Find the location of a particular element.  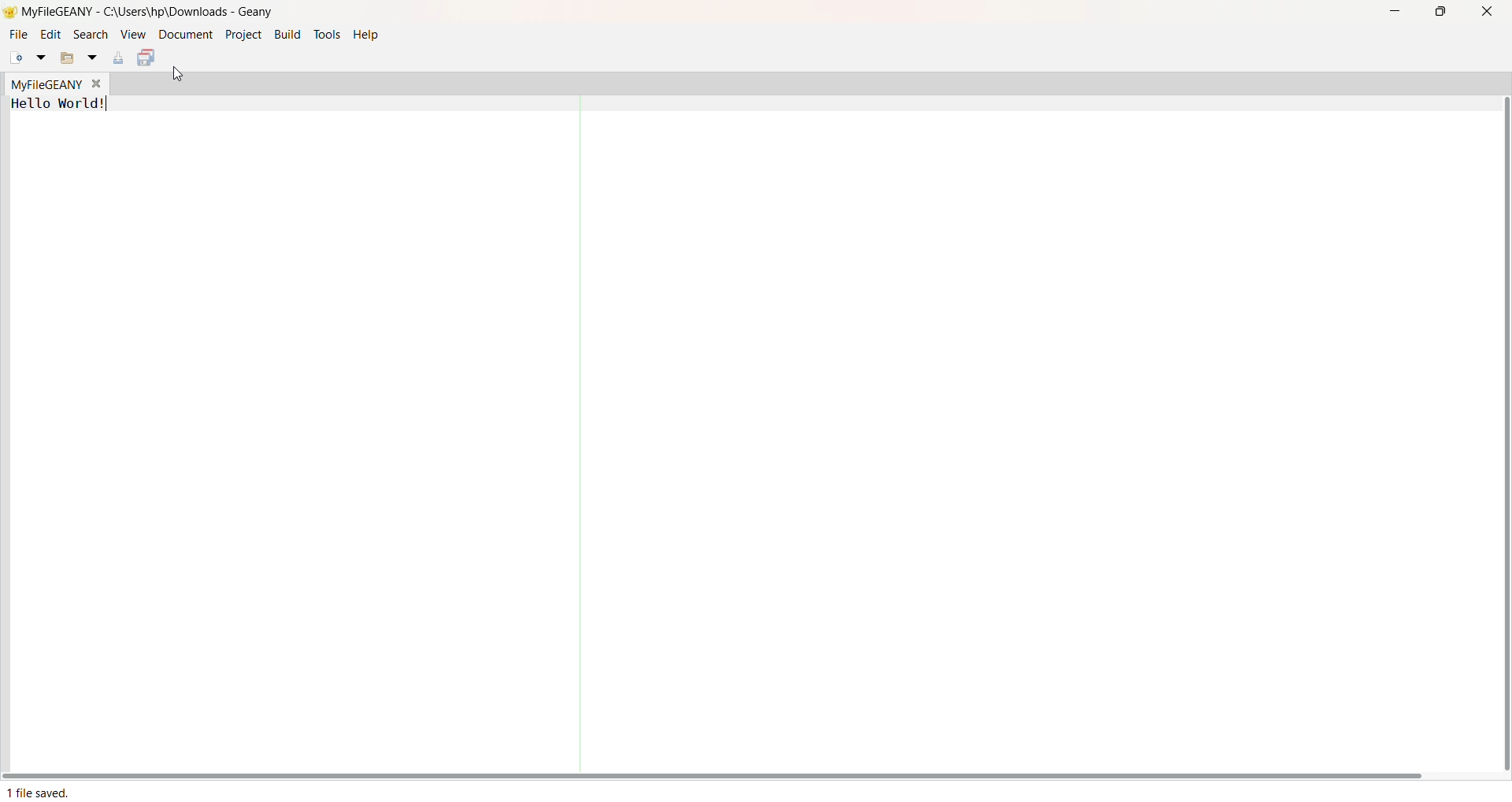

Hello World is located at coordinates (55, 104).